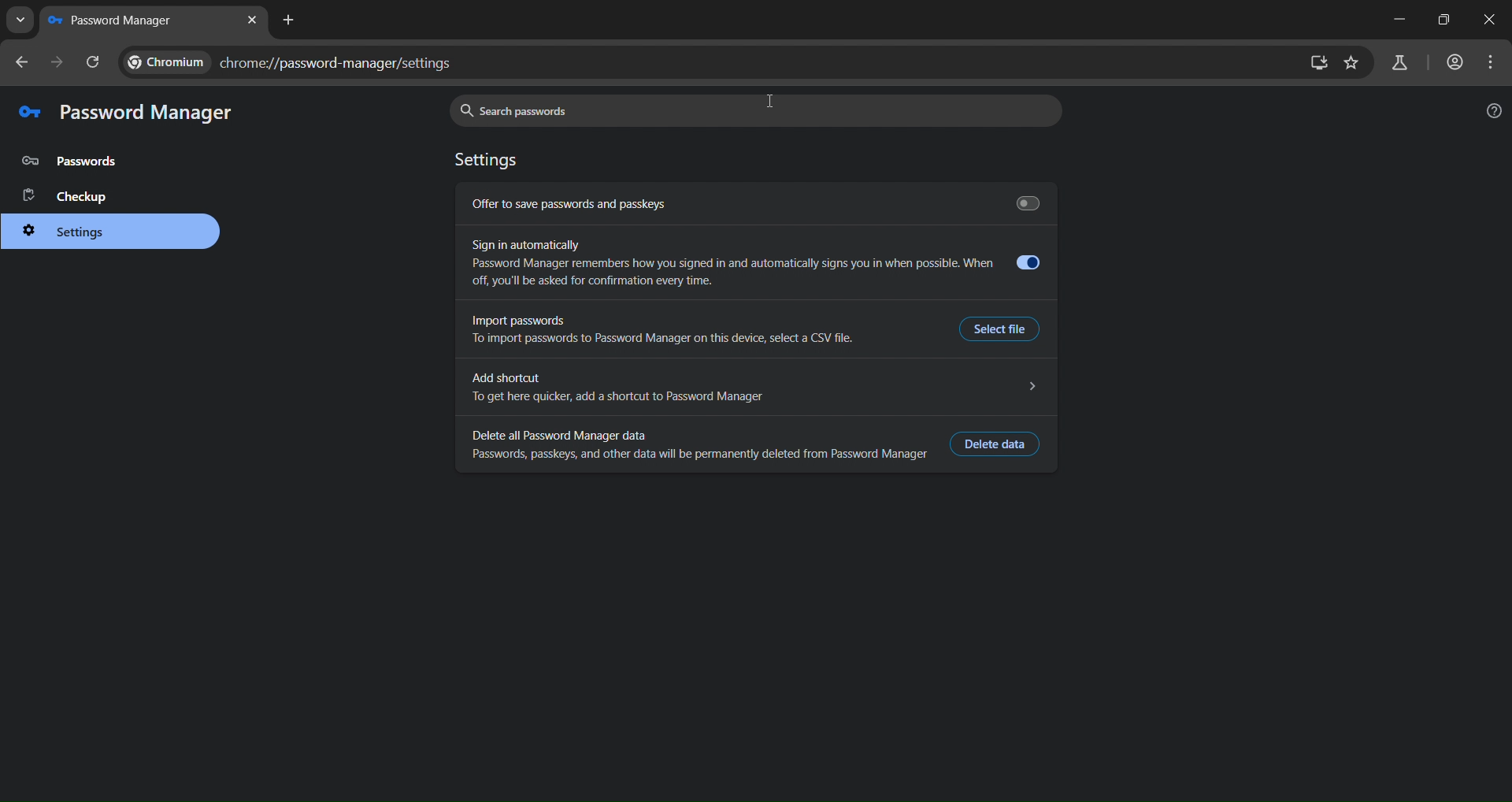  I want to click on go forward one page, so click(56, 64).